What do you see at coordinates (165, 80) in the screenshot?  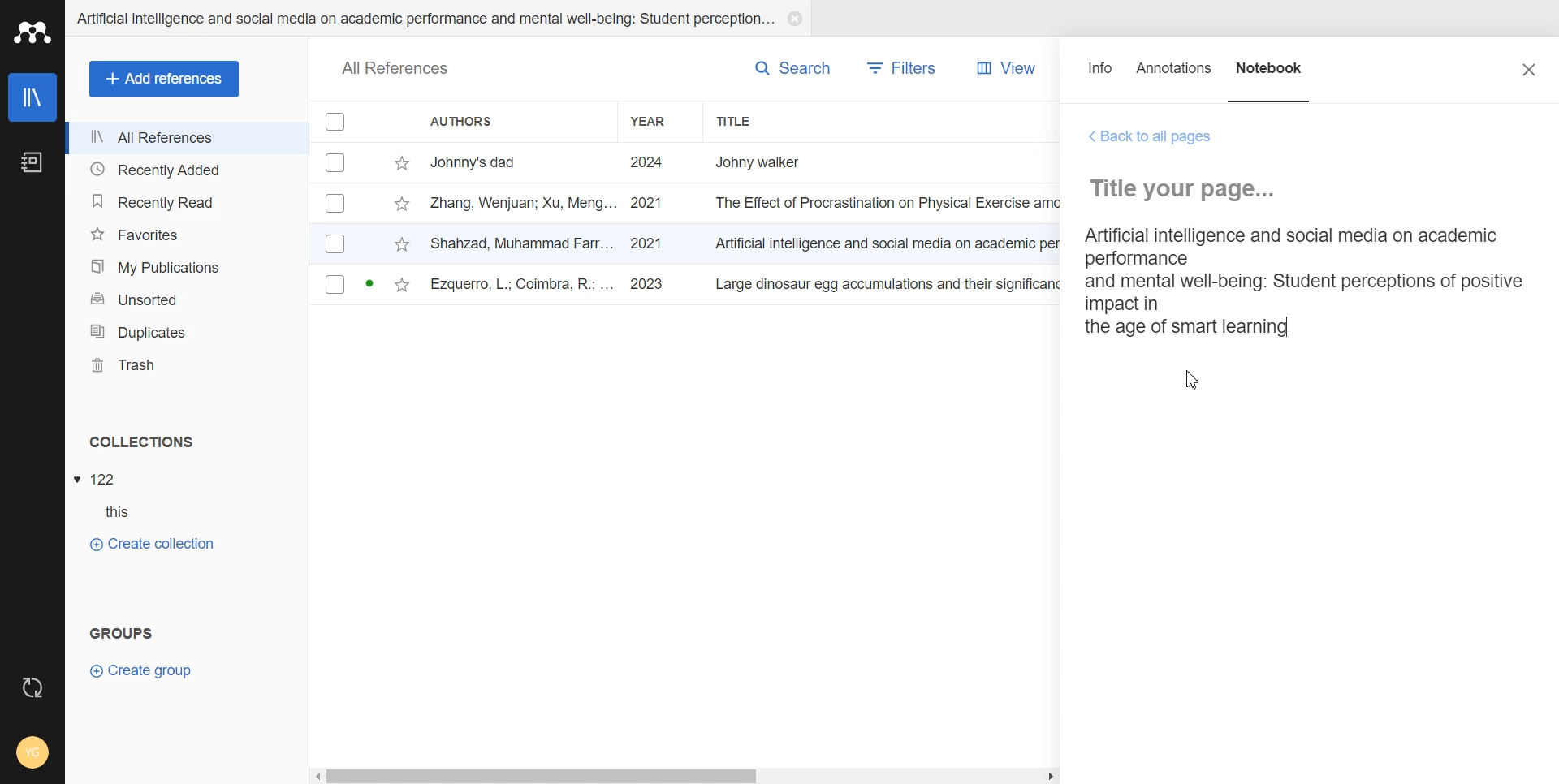 I see `Add references` at bounding box center [165, 80].